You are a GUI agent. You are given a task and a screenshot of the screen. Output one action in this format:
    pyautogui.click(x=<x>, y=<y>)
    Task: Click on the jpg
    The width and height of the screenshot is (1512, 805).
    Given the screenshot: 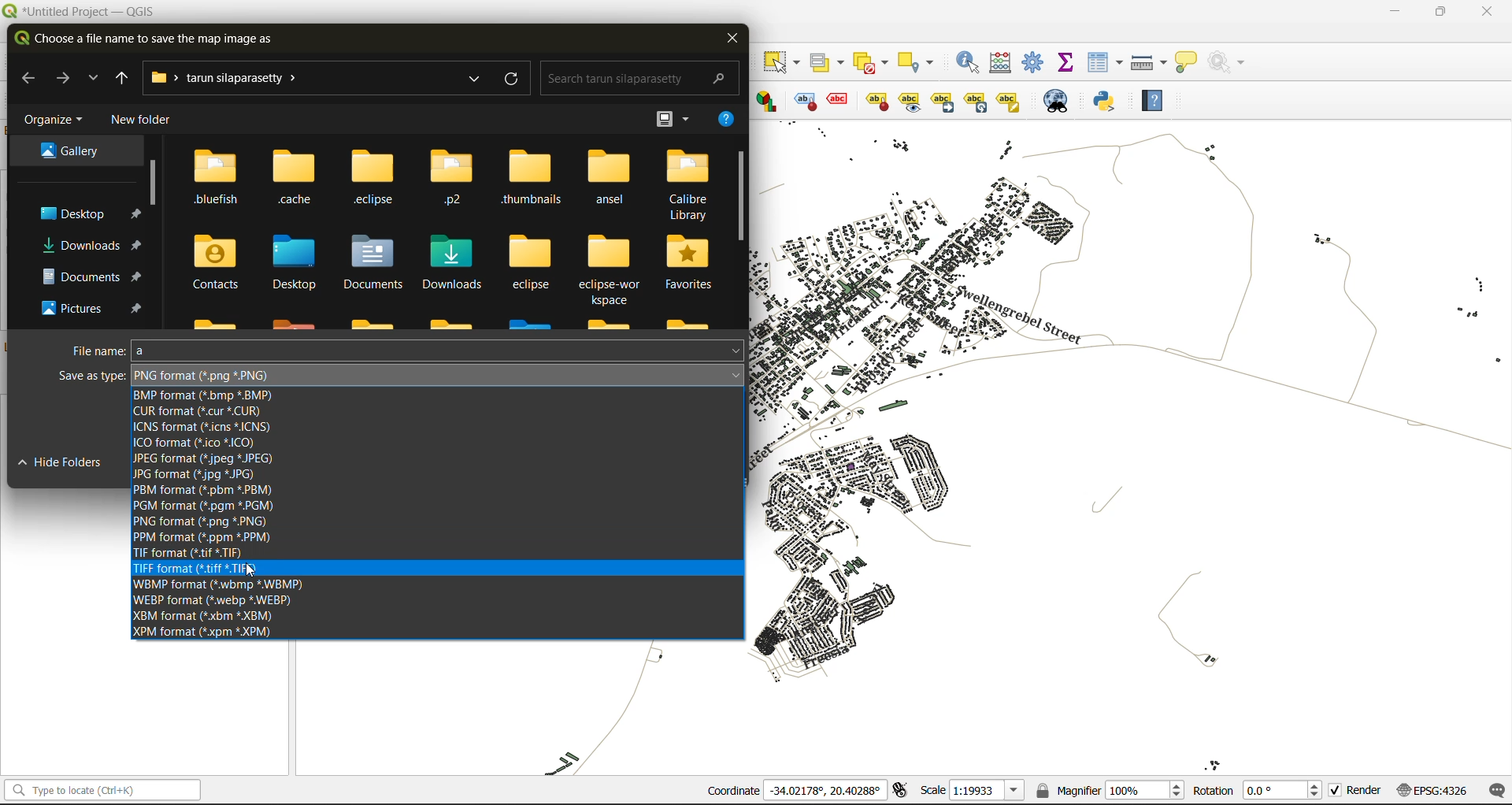 What is the action you would take?
    pyautogui.click(x=197, y=476)
    